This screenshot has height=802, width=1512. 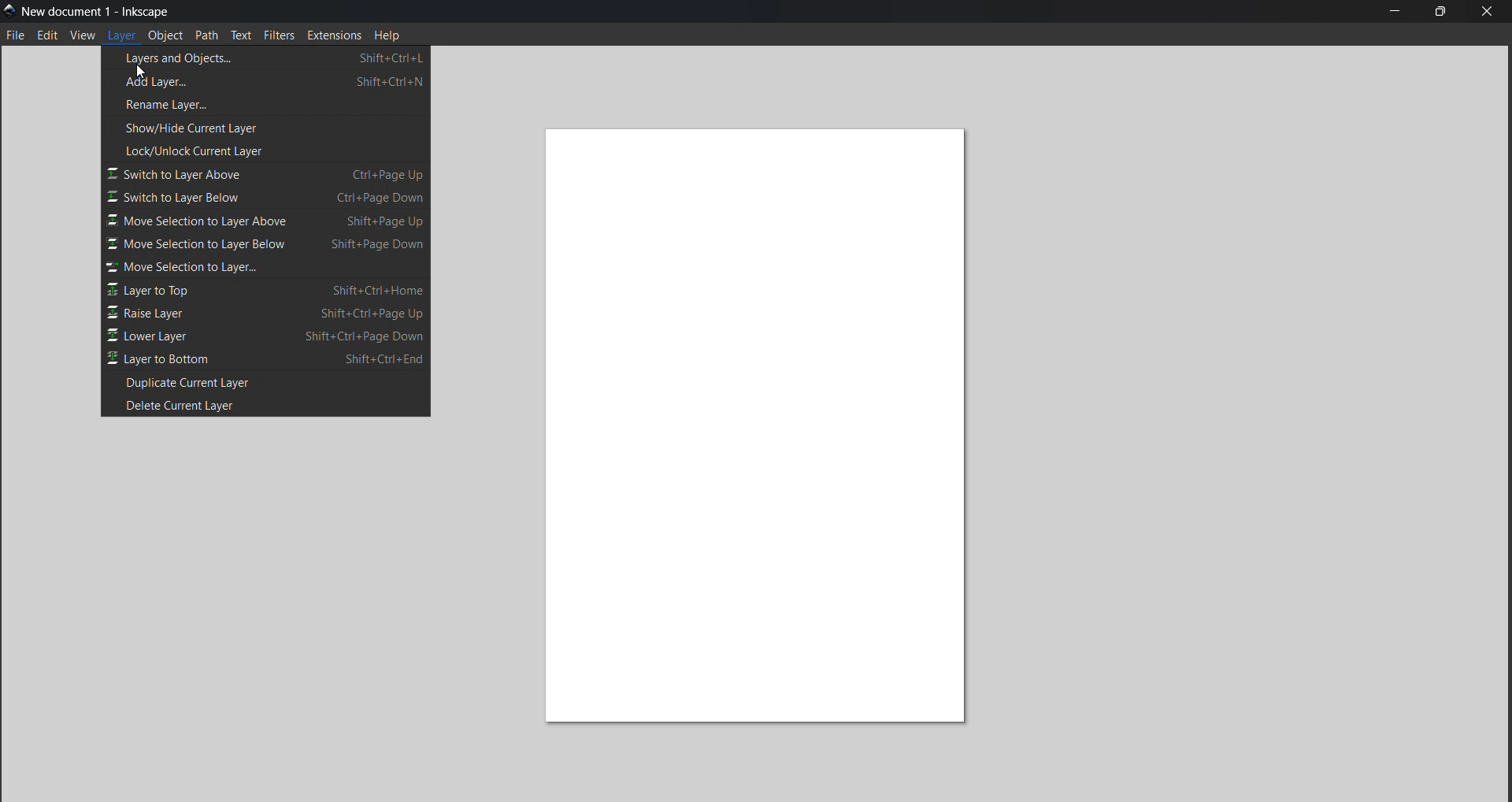 What do you see at coordinates (249, 268) in the screenshot?
I see `move selection to layer` at bounding box center [249, 268].